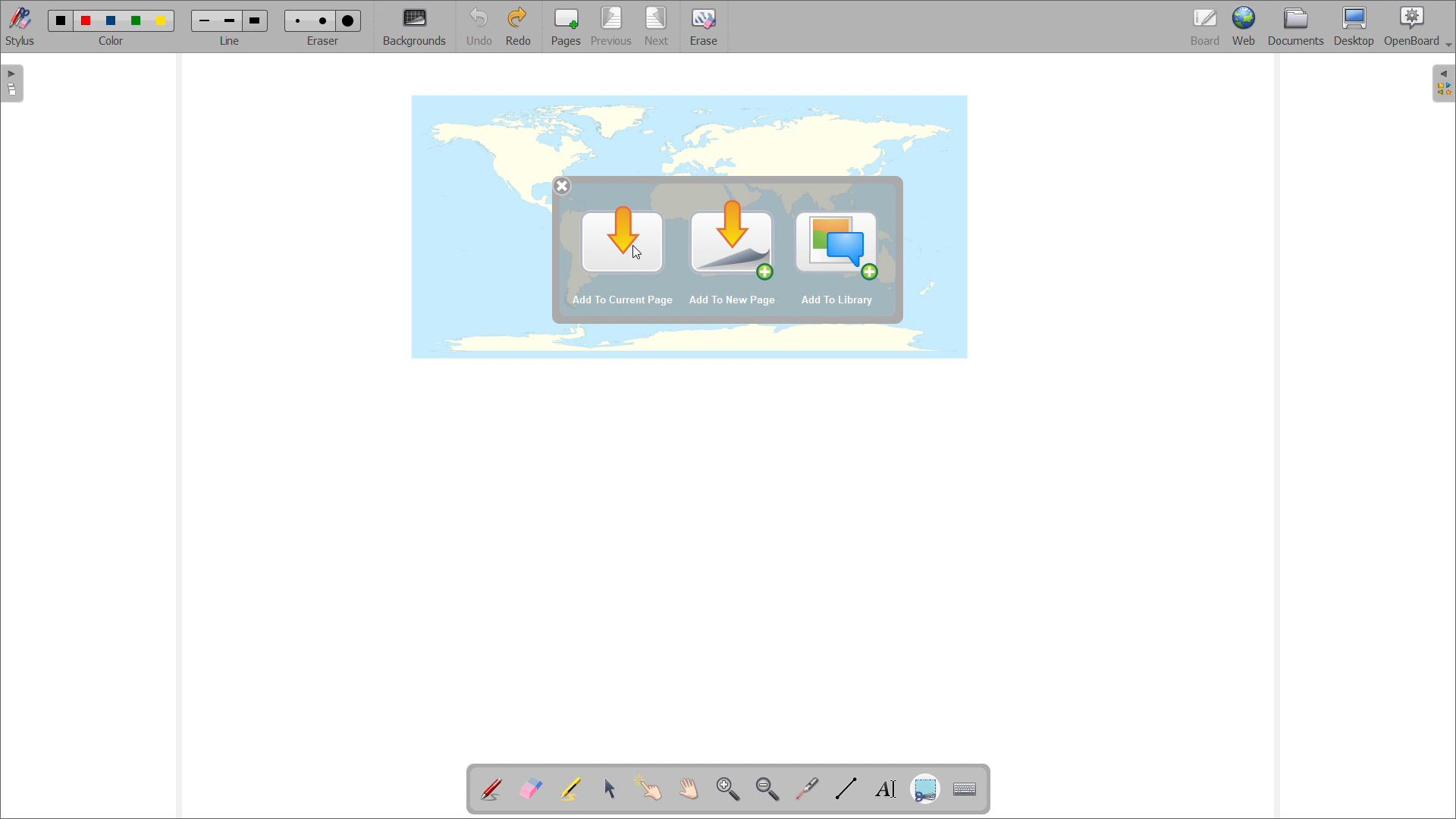 This screenshot has width=1456, height=819. What do you see at coordinates (610, 789) in the screenshot?
I see `select and modify objects` at bounding box center [610, 789].